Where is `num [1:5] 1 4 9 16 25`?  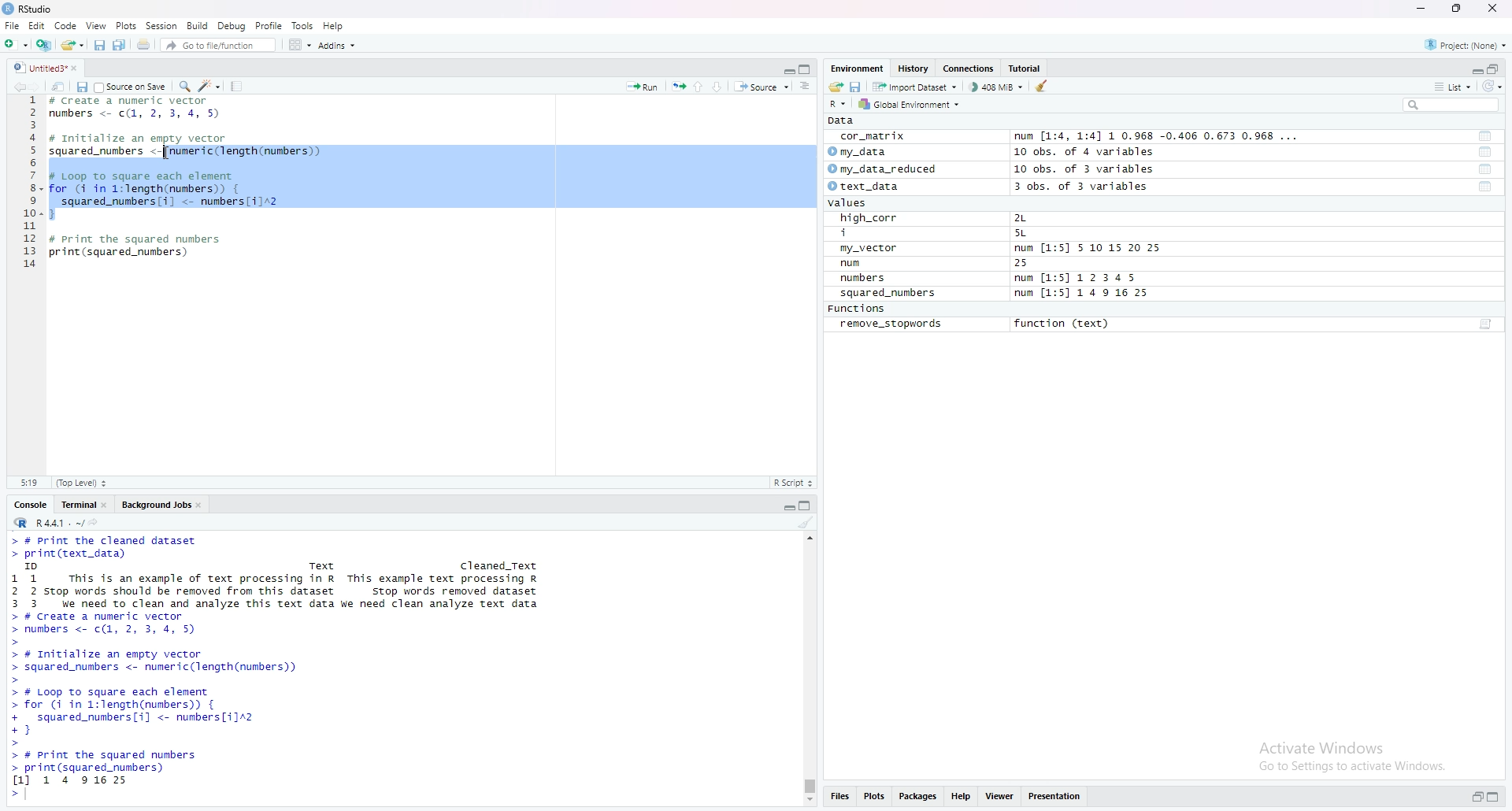 num [1:5] 1 4 9 16 25 is located at coordinates (1083, 294).